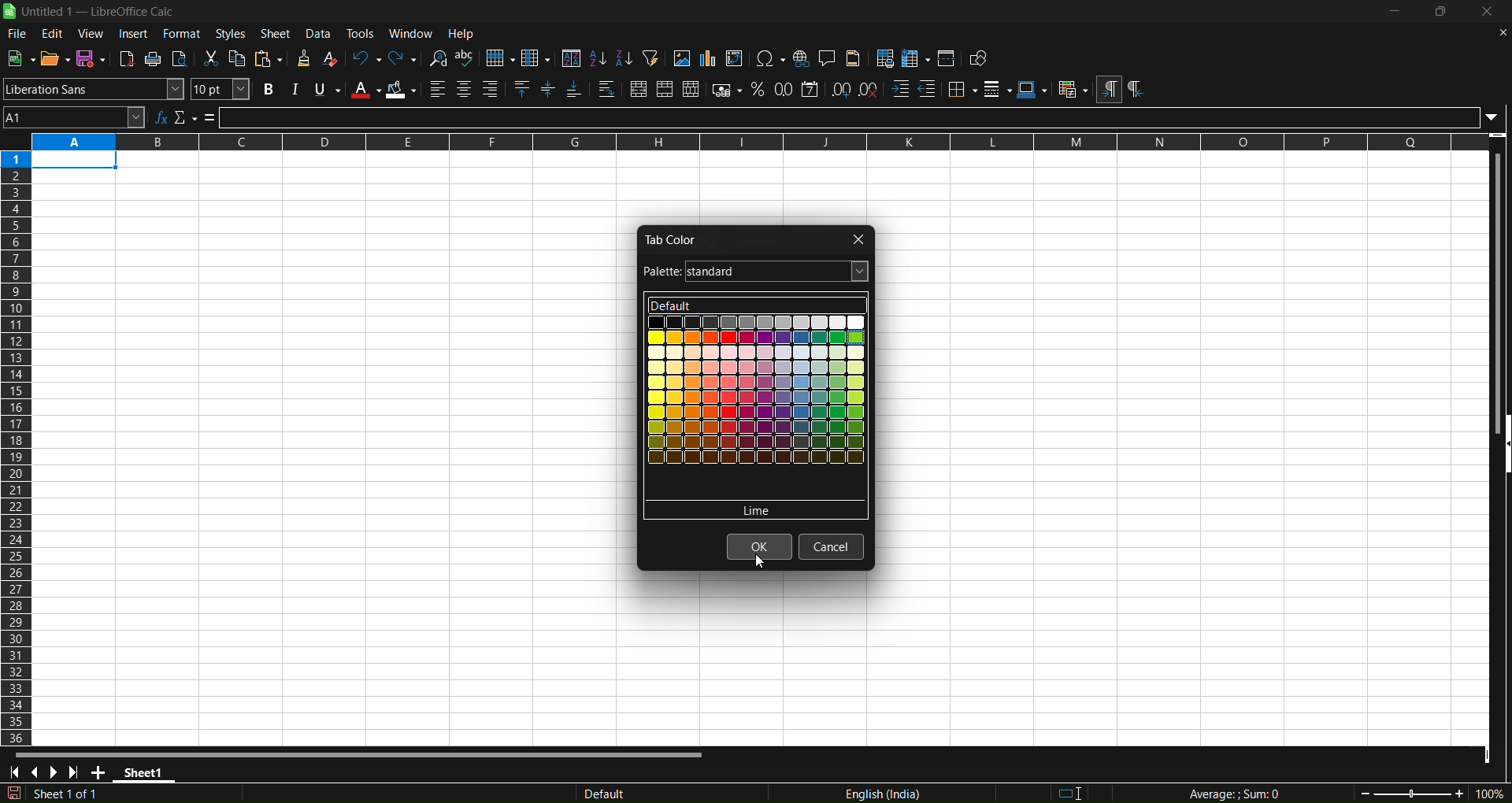 Image resolution: width=1512 pixels, height=803 pixels. I want to click on colors, so click(754, 408).